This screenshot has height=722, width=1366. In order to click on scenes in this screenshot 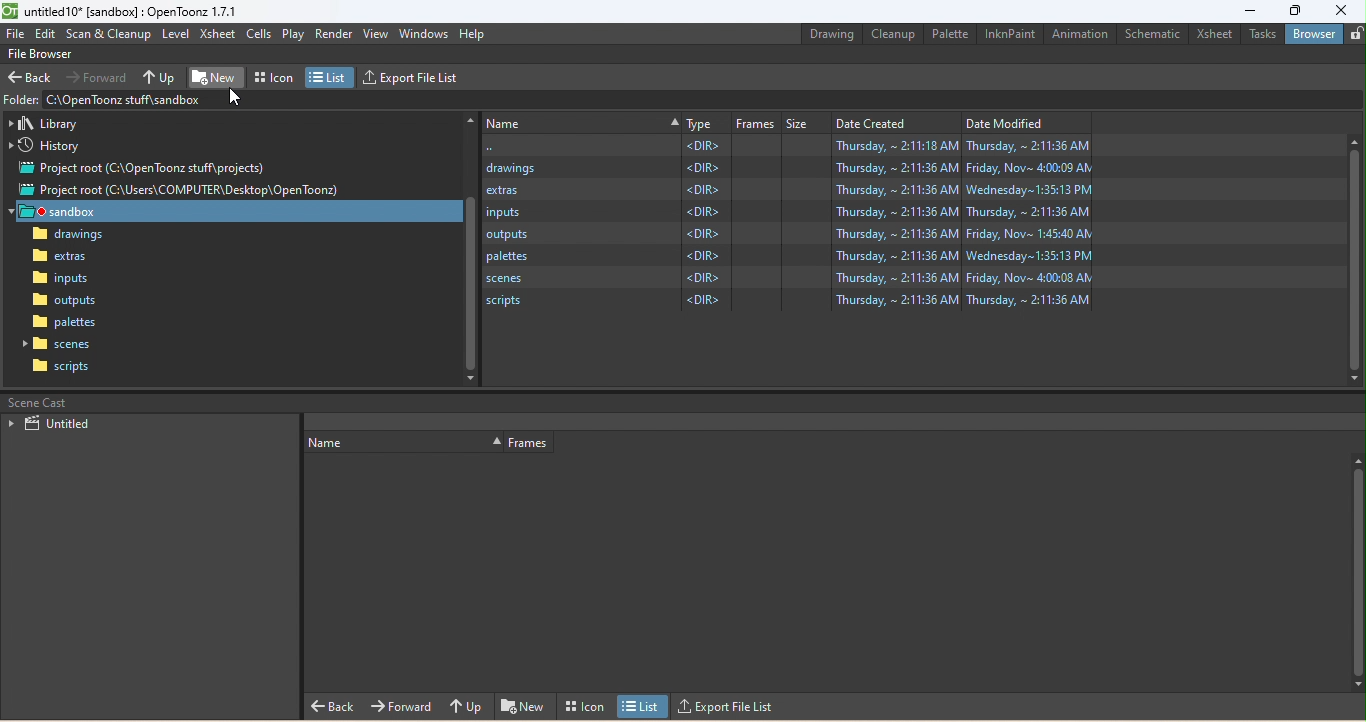, I will do `click(60, 345)`.